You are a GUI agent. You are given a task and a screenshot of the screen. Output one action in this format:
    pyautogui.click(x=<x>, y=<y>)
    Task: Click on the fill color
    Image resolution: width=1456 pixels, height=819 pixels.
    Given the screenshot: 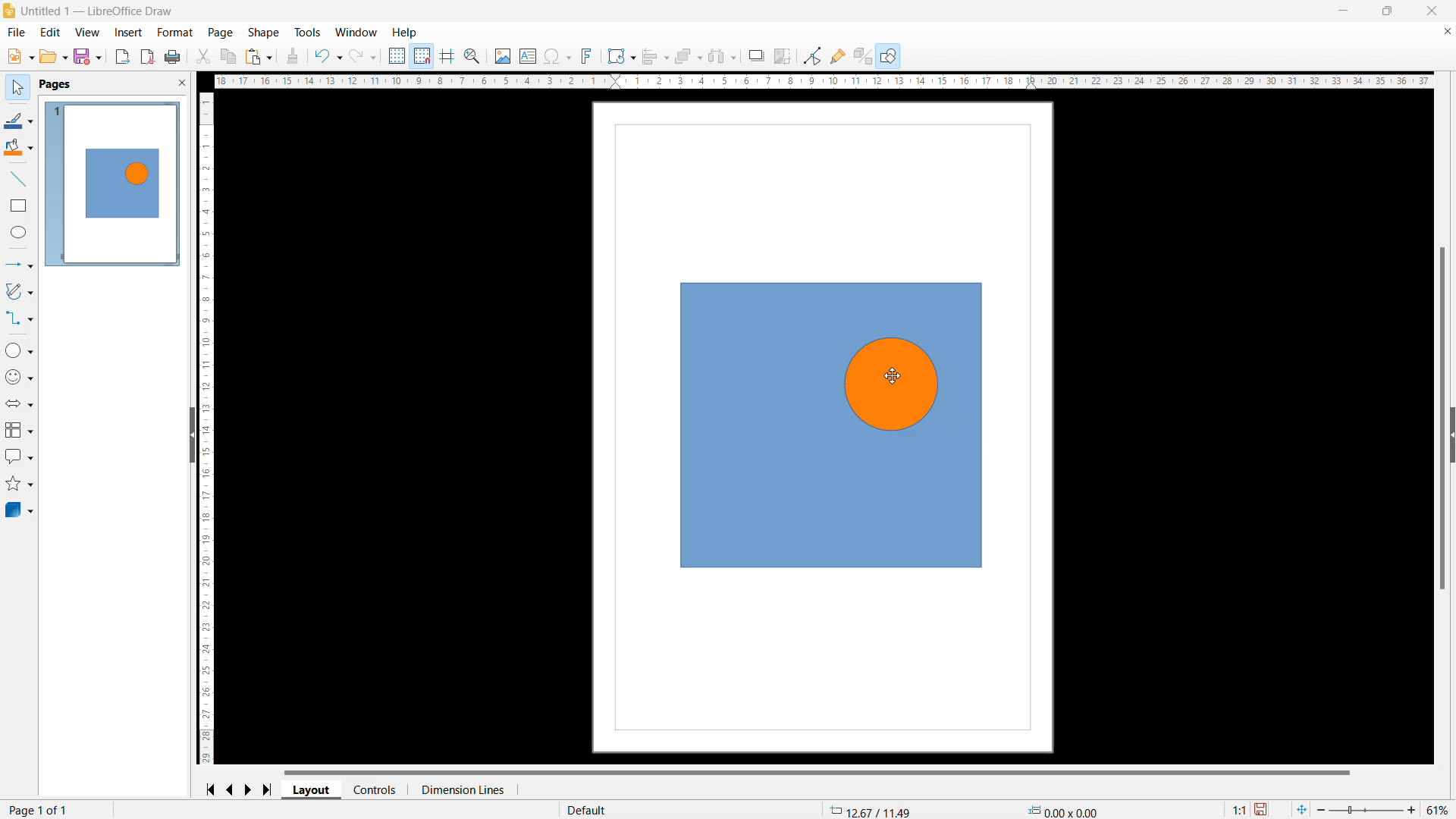 What is the action you would take?
    pyautogui.click(x=19, y=147)
    